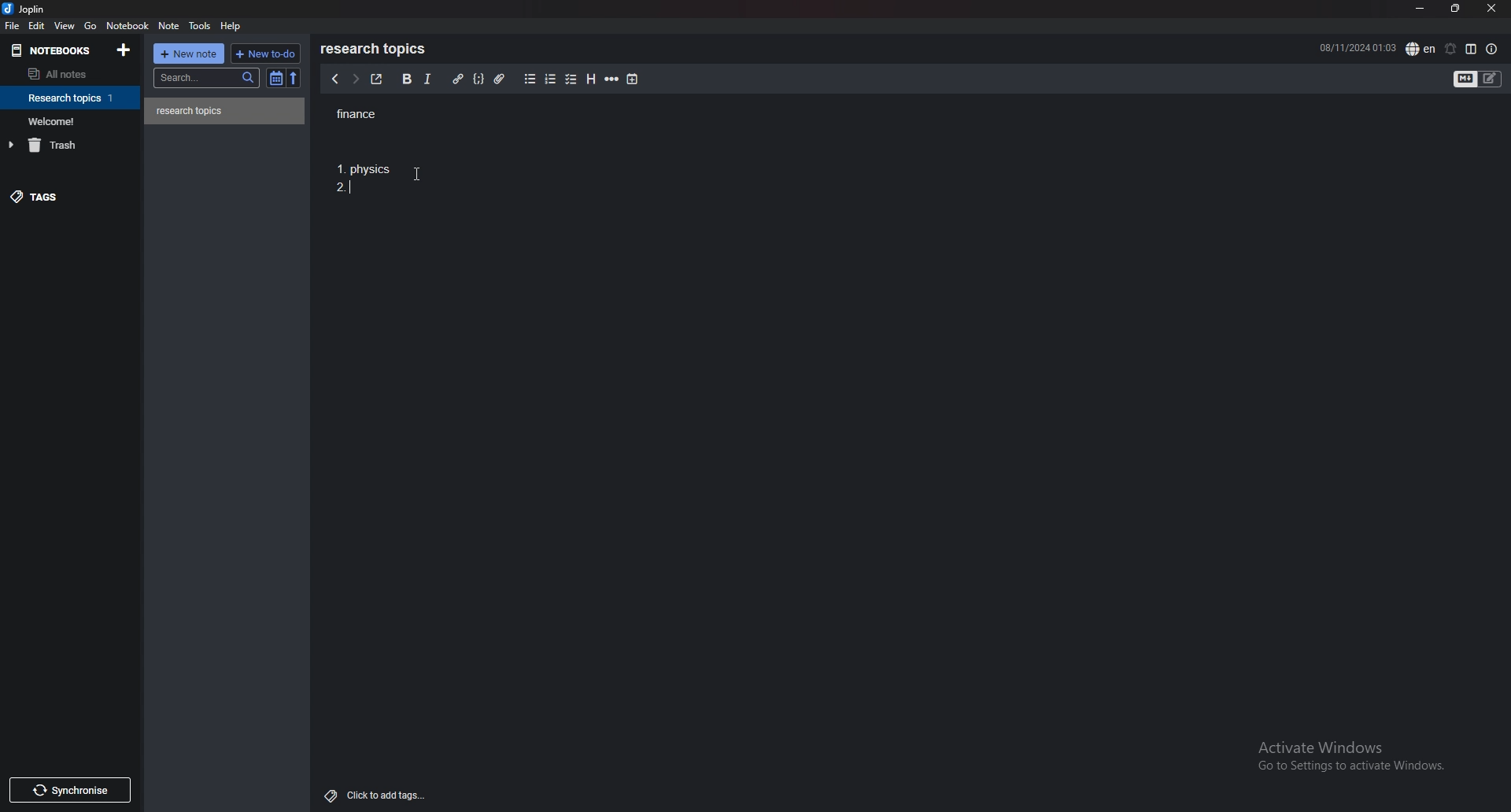 This screenshot has height=812, width=1511. I want to click on numbered list, so click(552, 79).